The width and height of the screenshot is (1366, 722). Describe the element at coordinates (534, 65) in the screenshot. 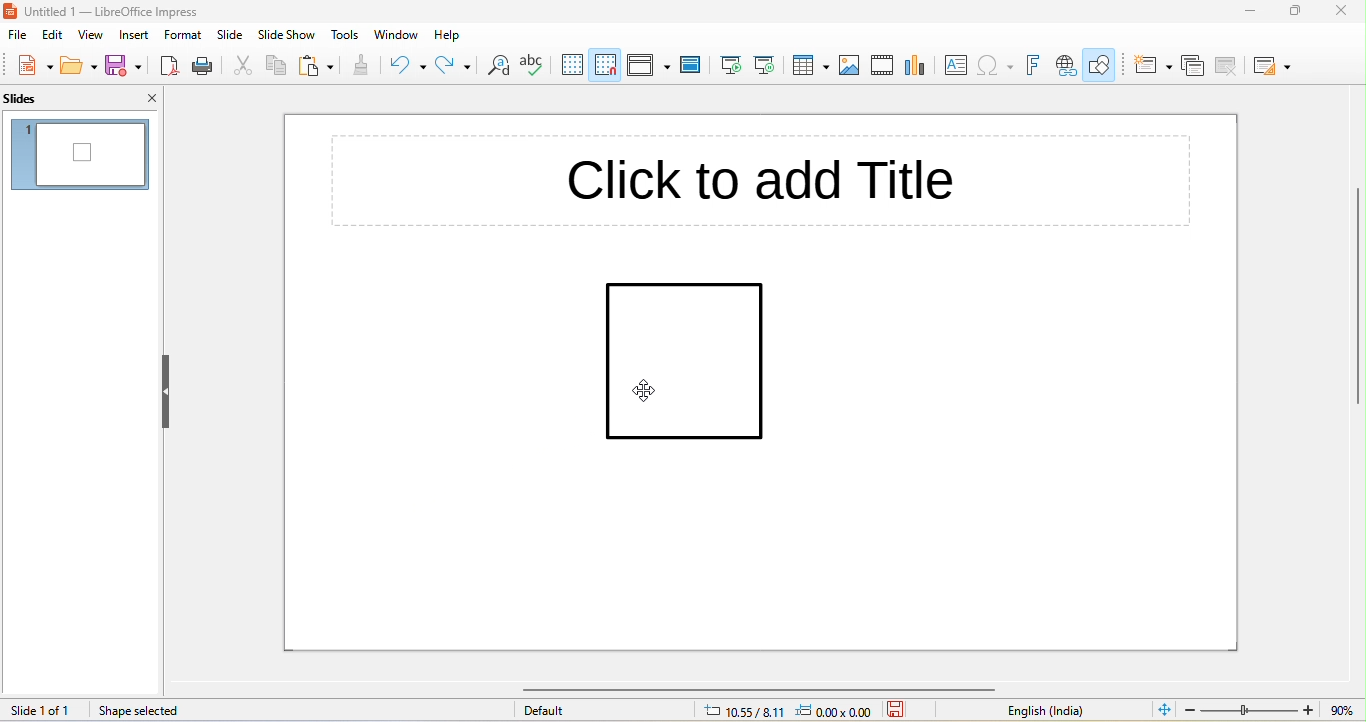

I see `spelling` at that location.